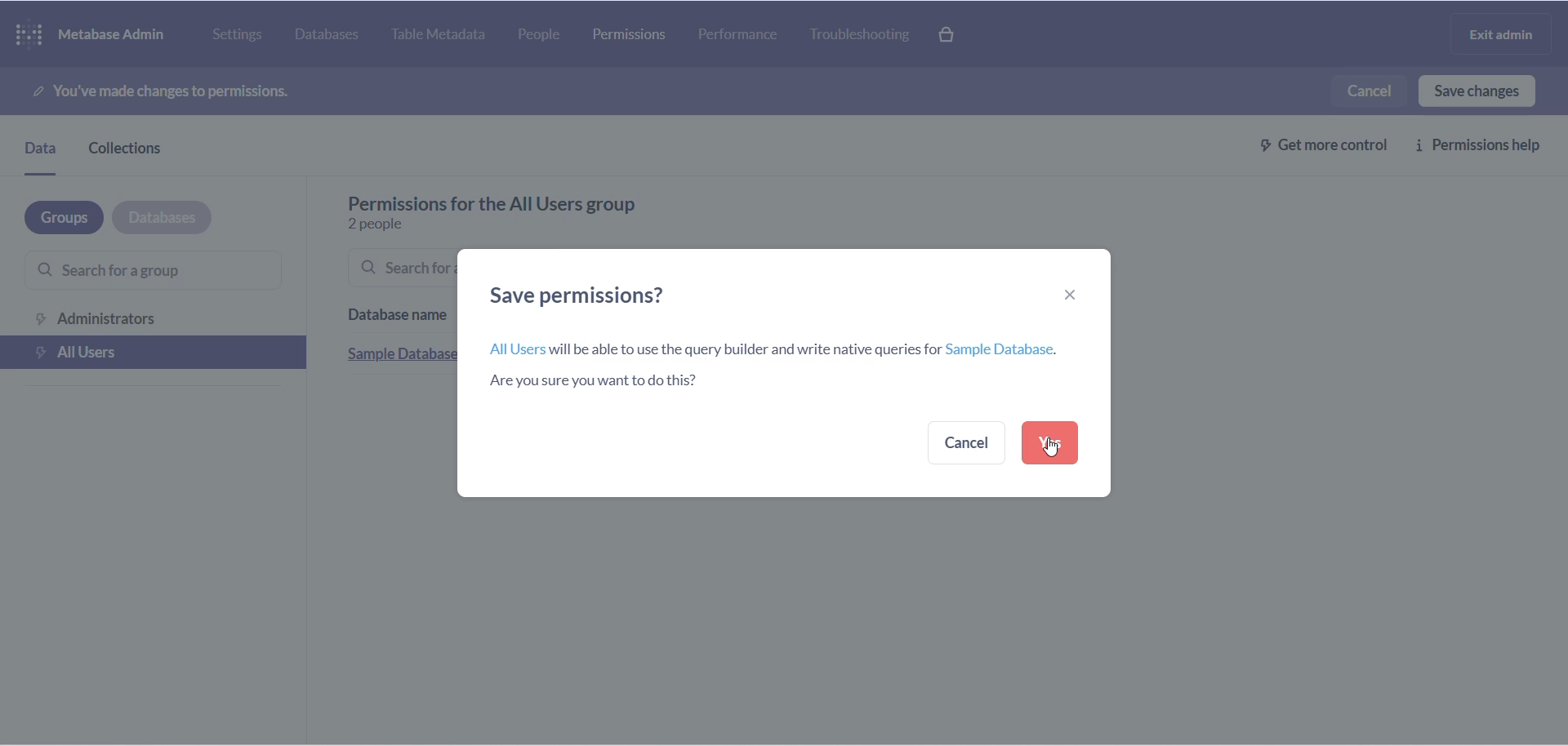 The width and height of the screenshot is (1568, 746). What do you see at coordinates (957, 34) in the screenshot?
I see `paid version` at bounding box center [957, 34].